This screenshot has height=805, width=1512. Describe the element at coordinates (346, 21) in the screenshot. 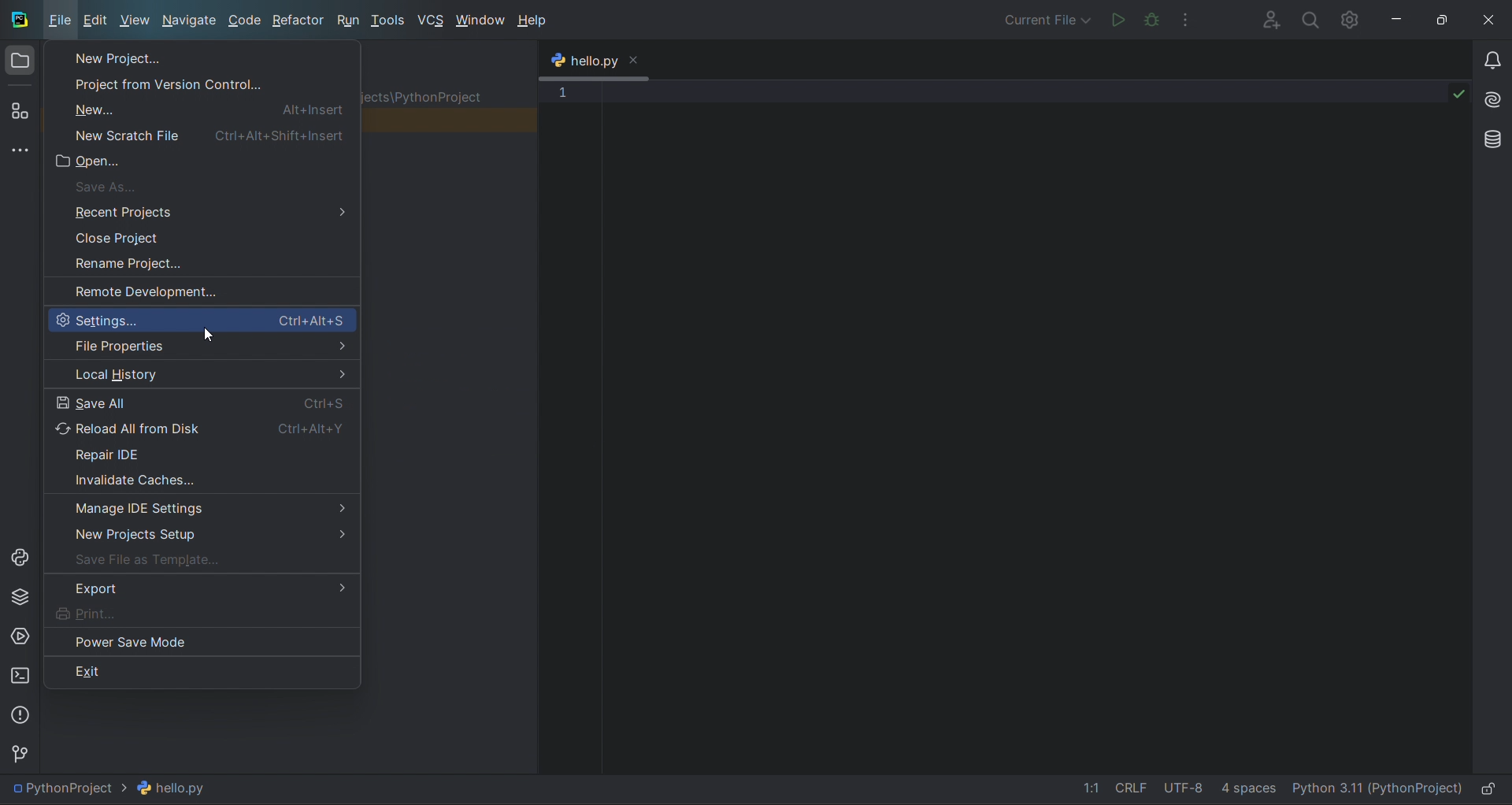

I see `run` at that location.